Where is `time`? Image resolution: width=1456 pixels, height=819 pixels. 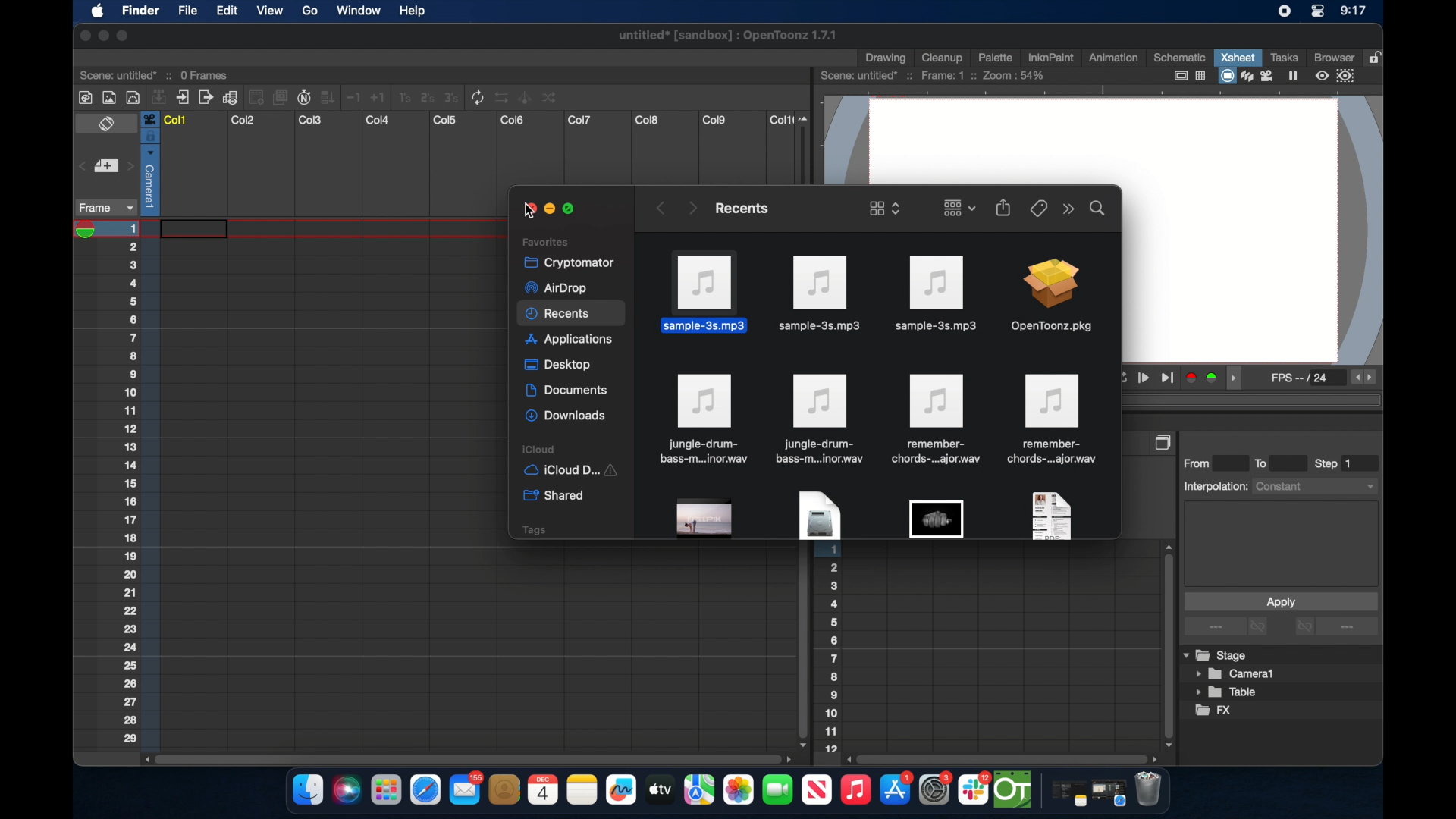
time is located at coordinates (1353, 12).